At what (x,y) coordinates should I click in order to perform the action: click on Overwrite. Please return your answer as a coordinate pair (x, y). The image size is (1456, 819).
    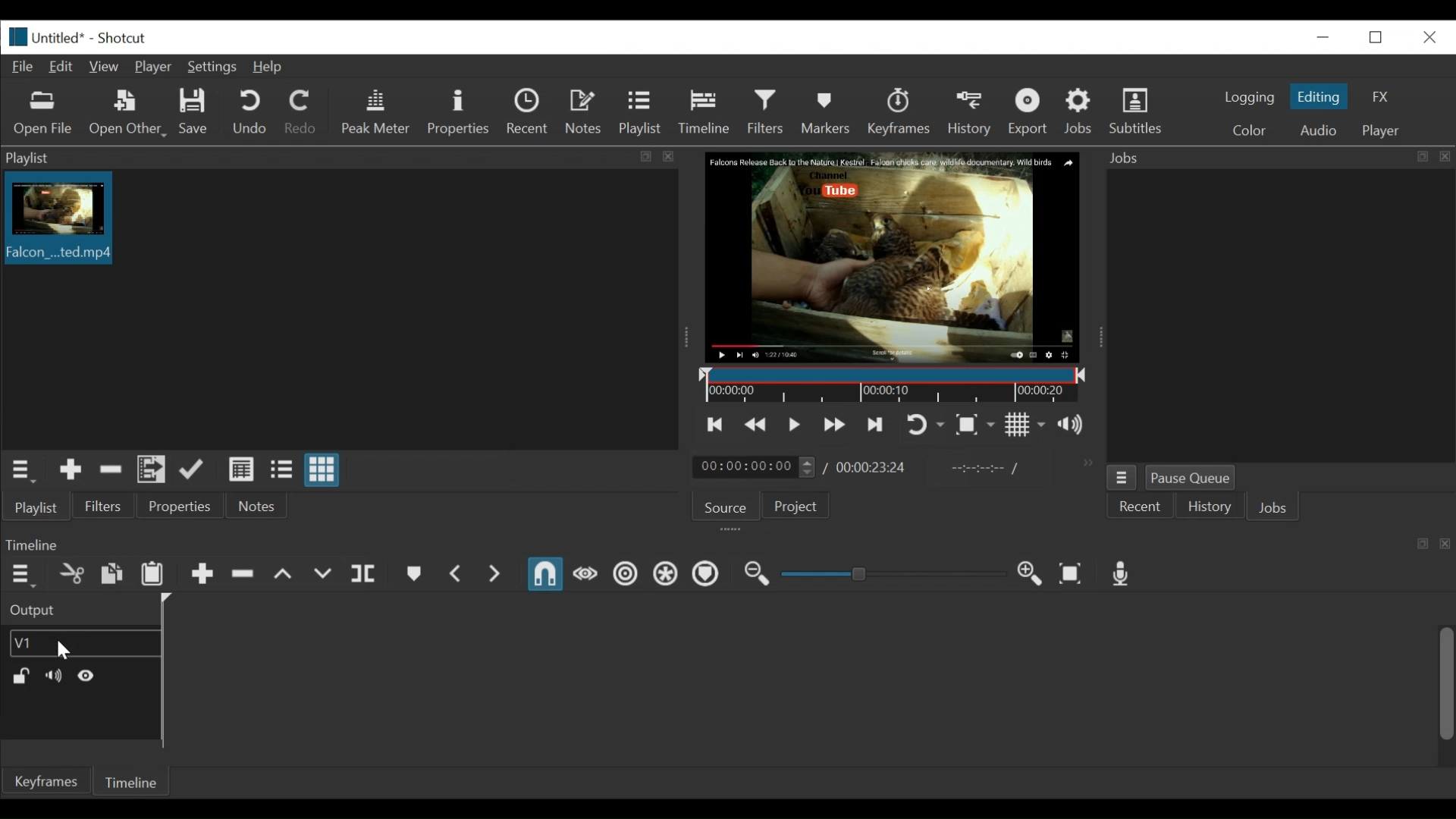
    Looking at the image, I should click on (324, 573).